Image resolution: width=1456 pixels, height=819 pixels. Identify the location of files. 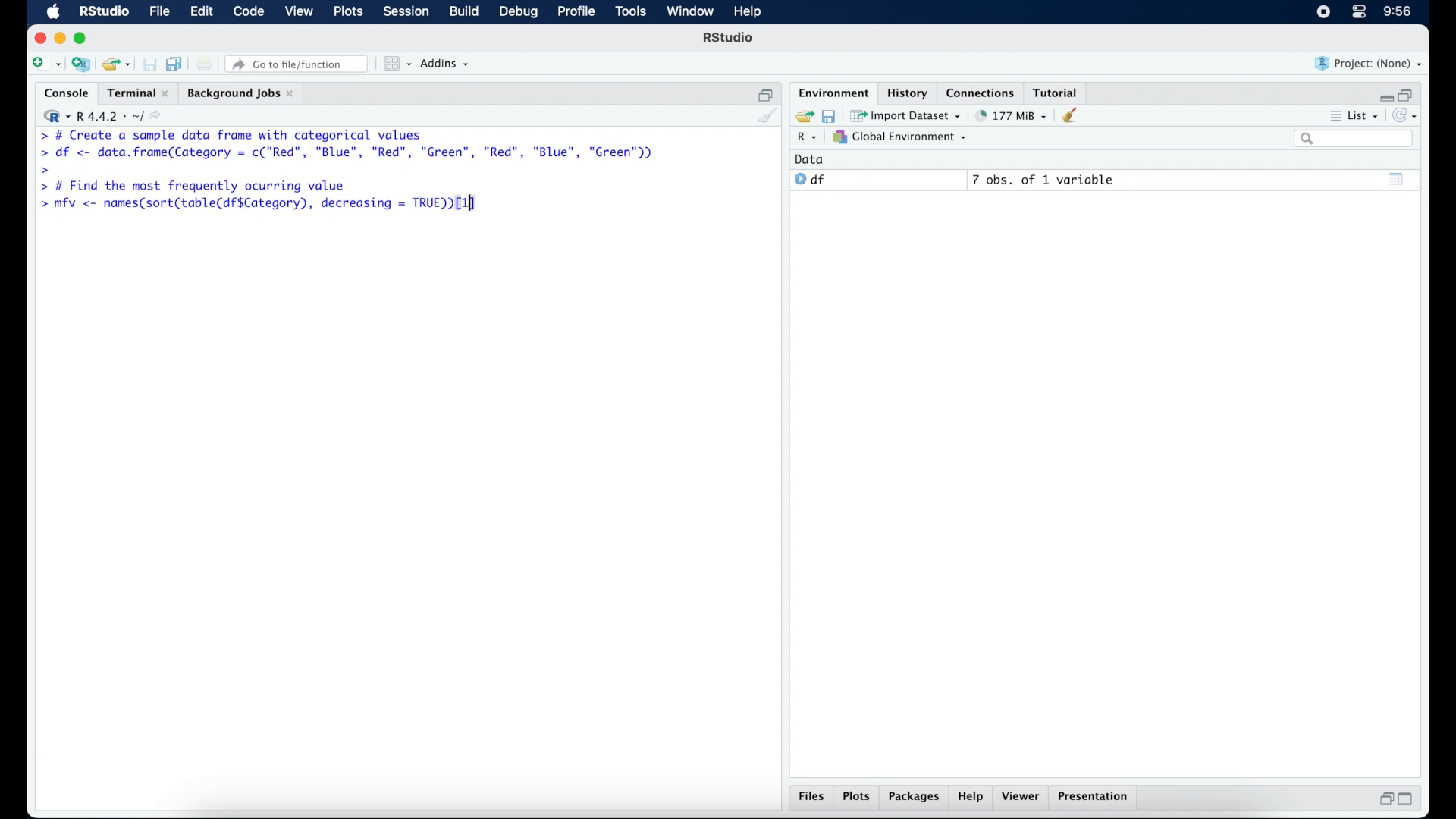
(810, 798).